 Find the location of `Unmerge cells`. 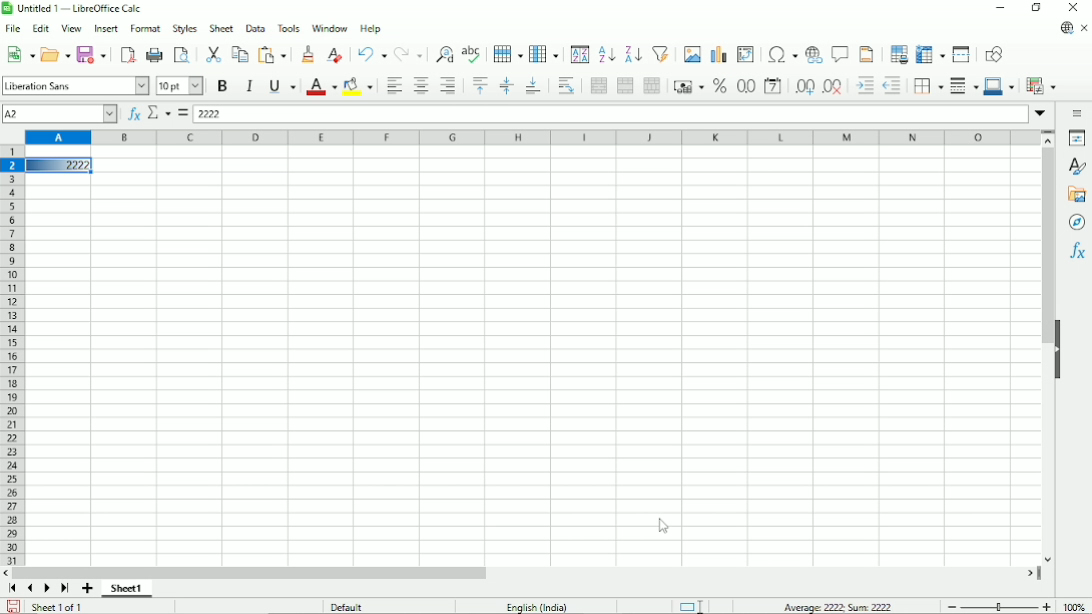

Unmerge cells is located at coordinates (651, 86).